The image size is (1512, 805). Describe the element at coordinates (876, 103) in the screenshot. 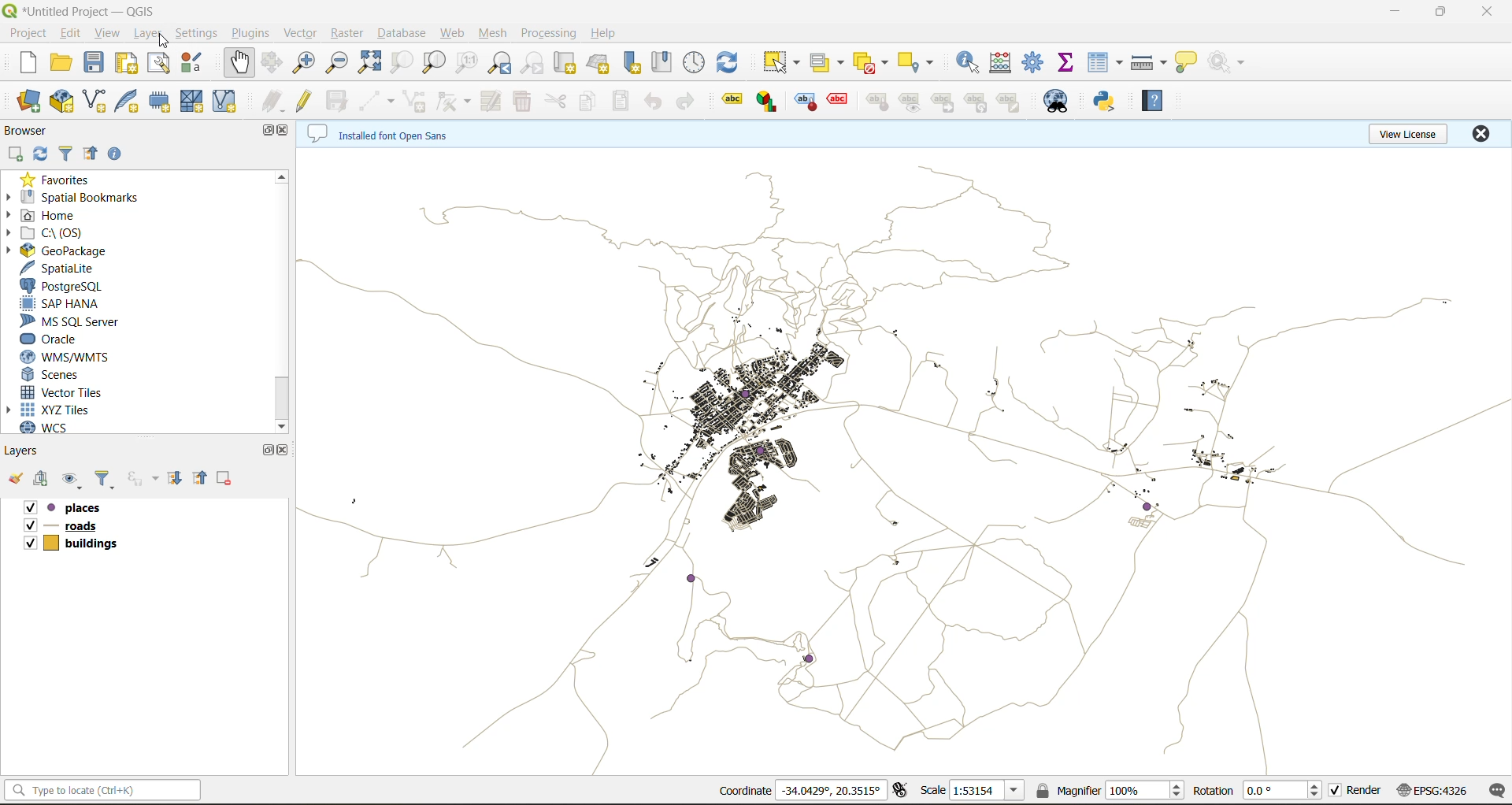

I see `label tool 5` at that location.